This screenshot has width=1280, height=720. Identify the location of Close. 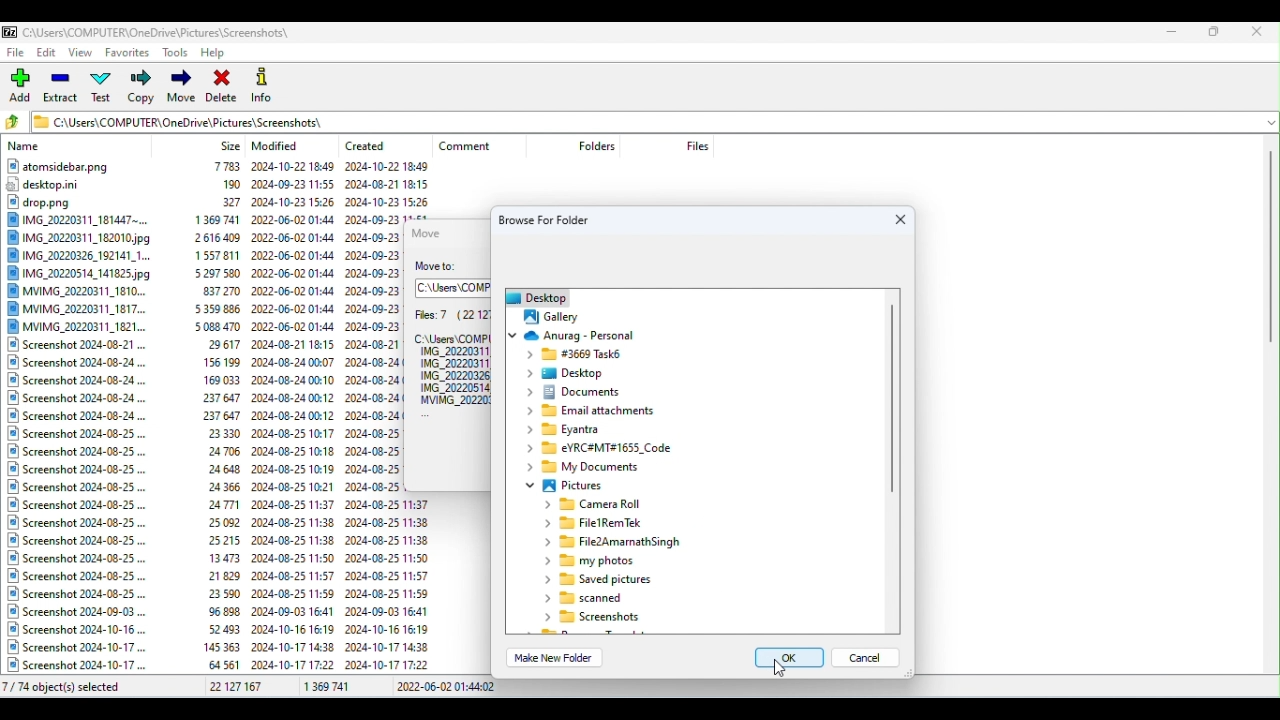
(1259, 31).